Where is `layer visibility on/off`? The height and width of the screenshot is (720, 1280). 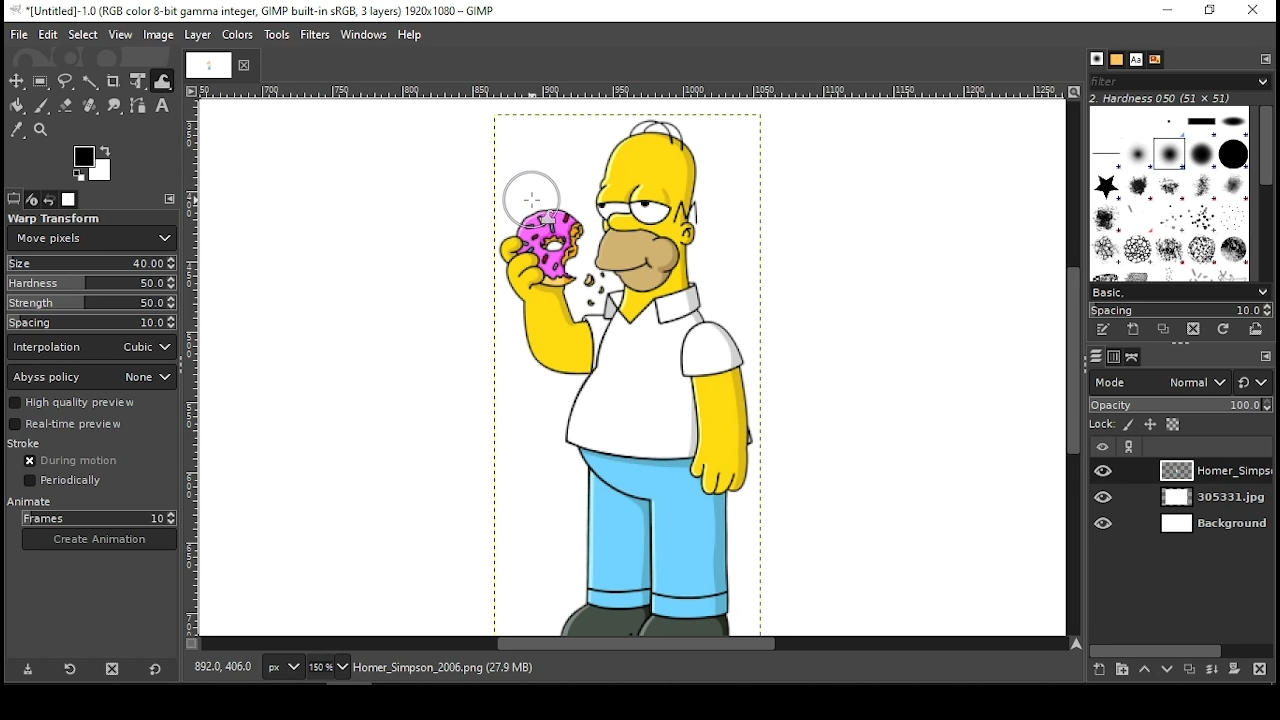
layer visibility on/off is located at coordinates (1104, 525).